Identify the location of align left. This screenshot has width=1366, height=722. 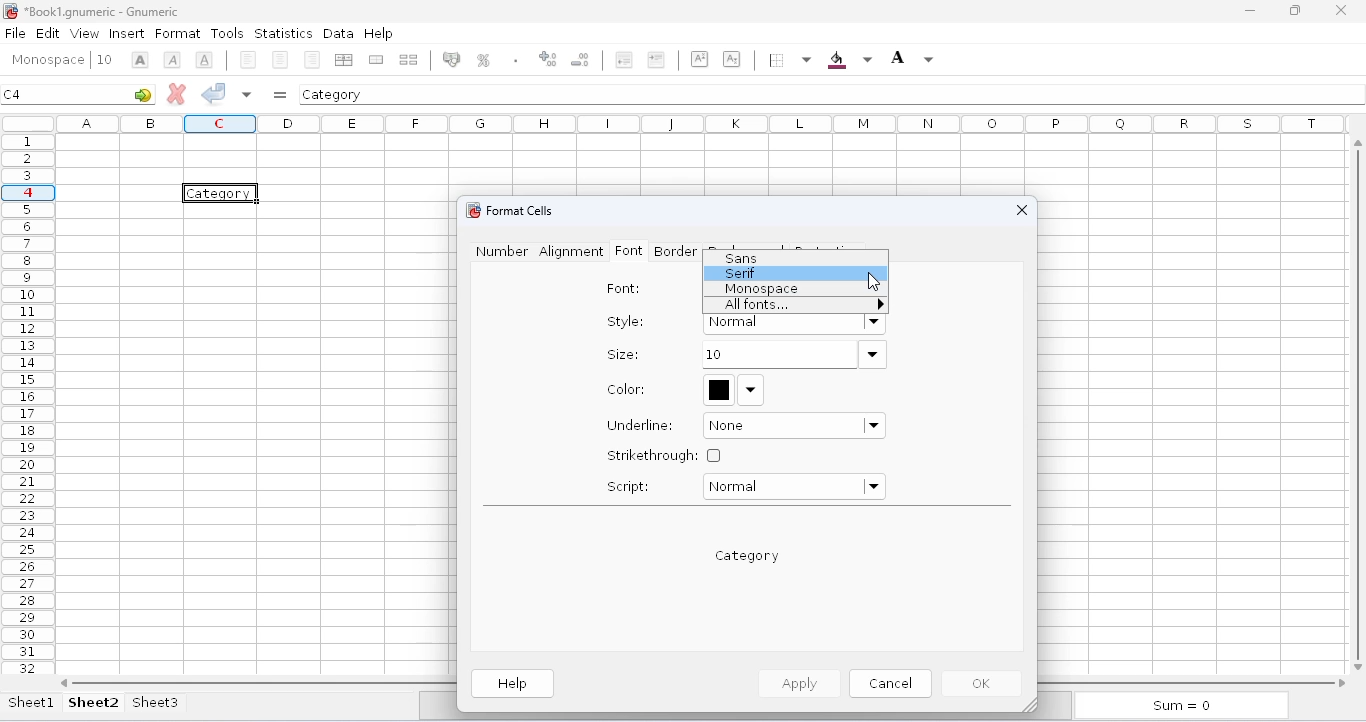
(248, 60).